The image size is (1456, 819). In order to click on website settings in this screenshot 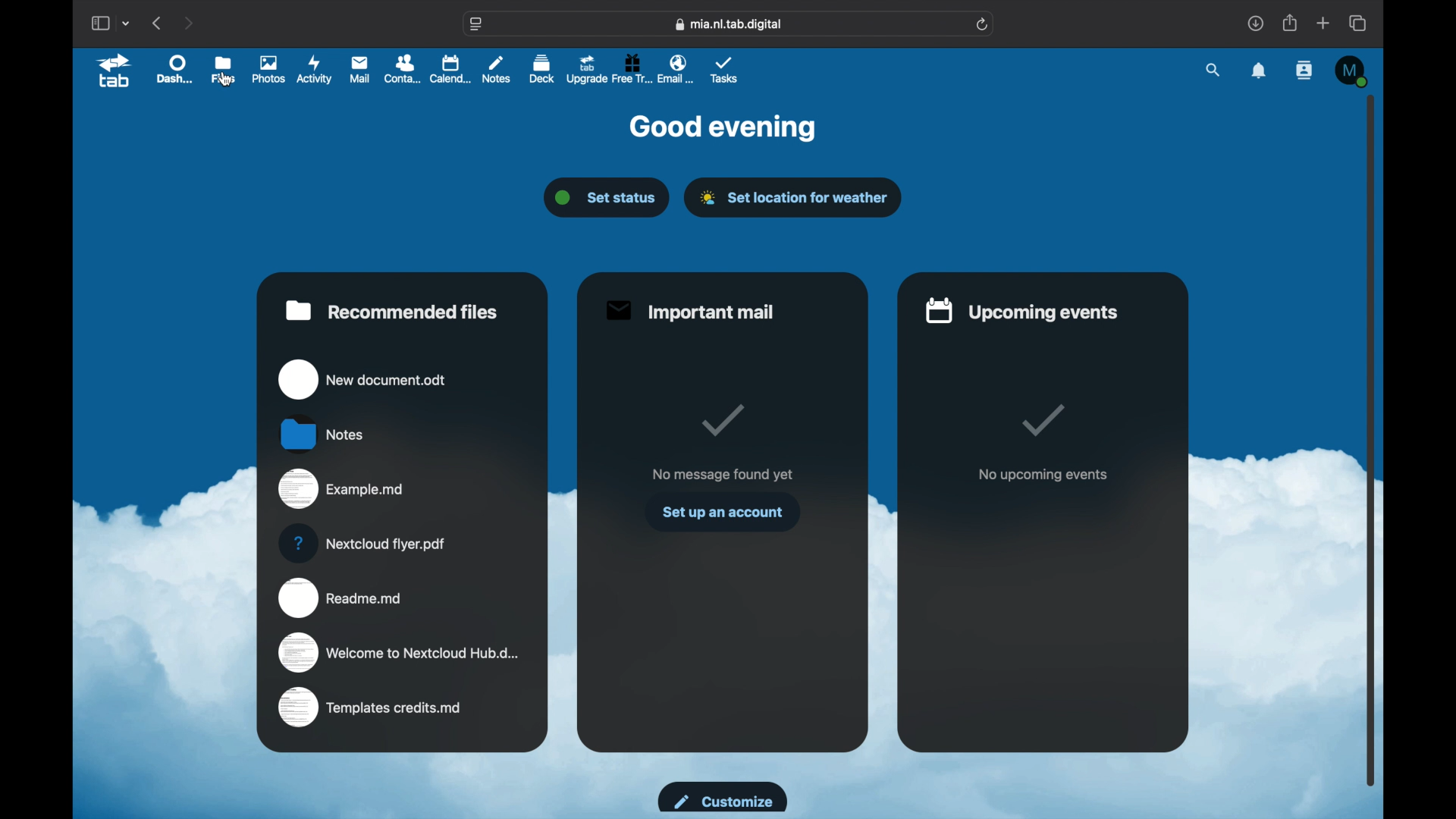, I will do `click(476, 25)`.